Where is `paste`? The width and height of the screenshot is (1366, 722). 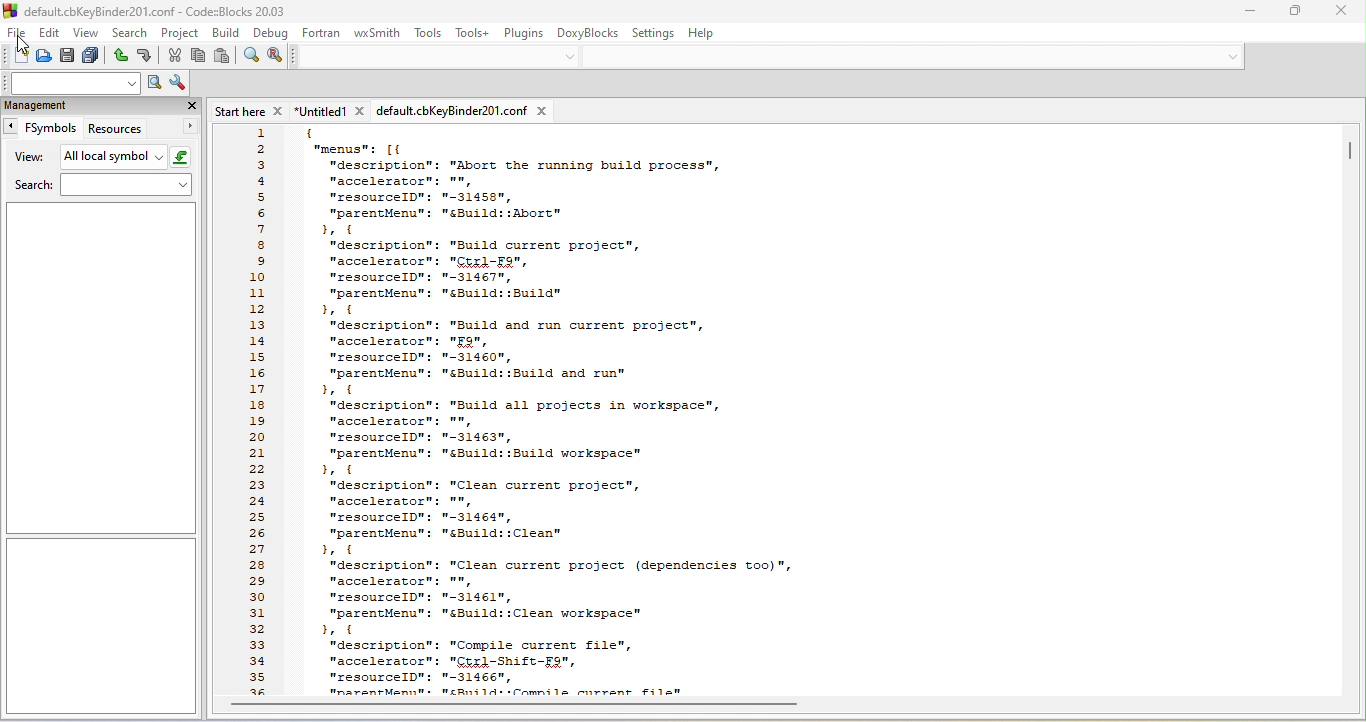 paste is located at coordinates (222, 57).